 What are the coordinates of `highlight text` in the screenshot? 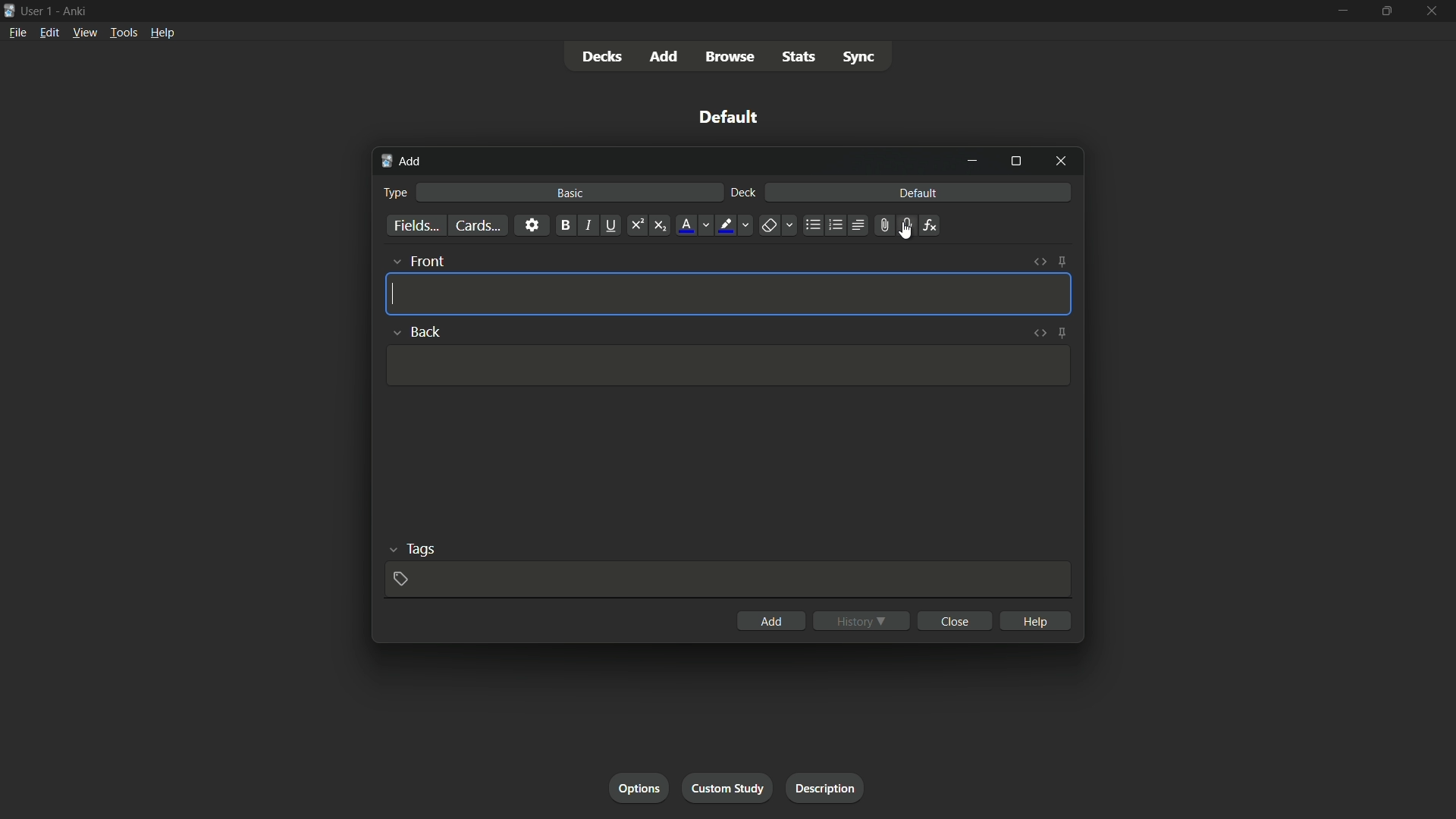 It's located at (725, 225).